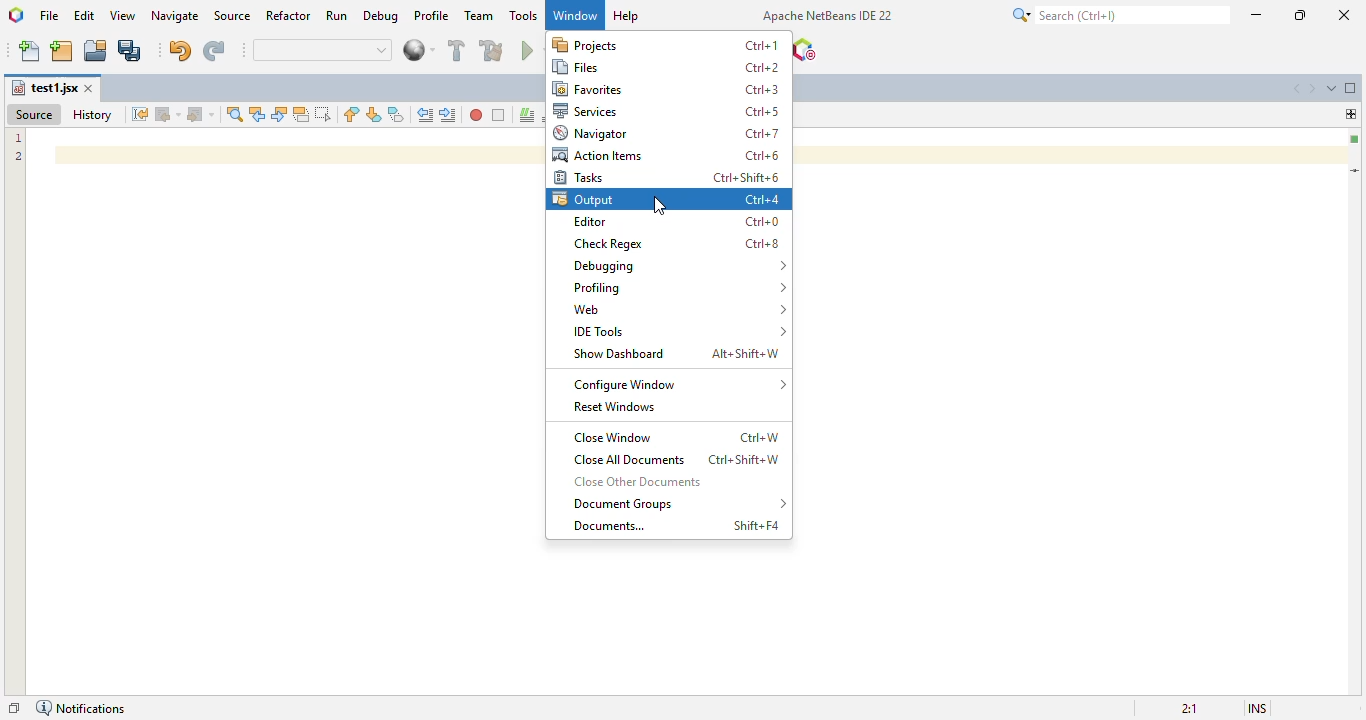  Describe the element at coordinates (33, 114) in the screenshot. I see `source` at that location.